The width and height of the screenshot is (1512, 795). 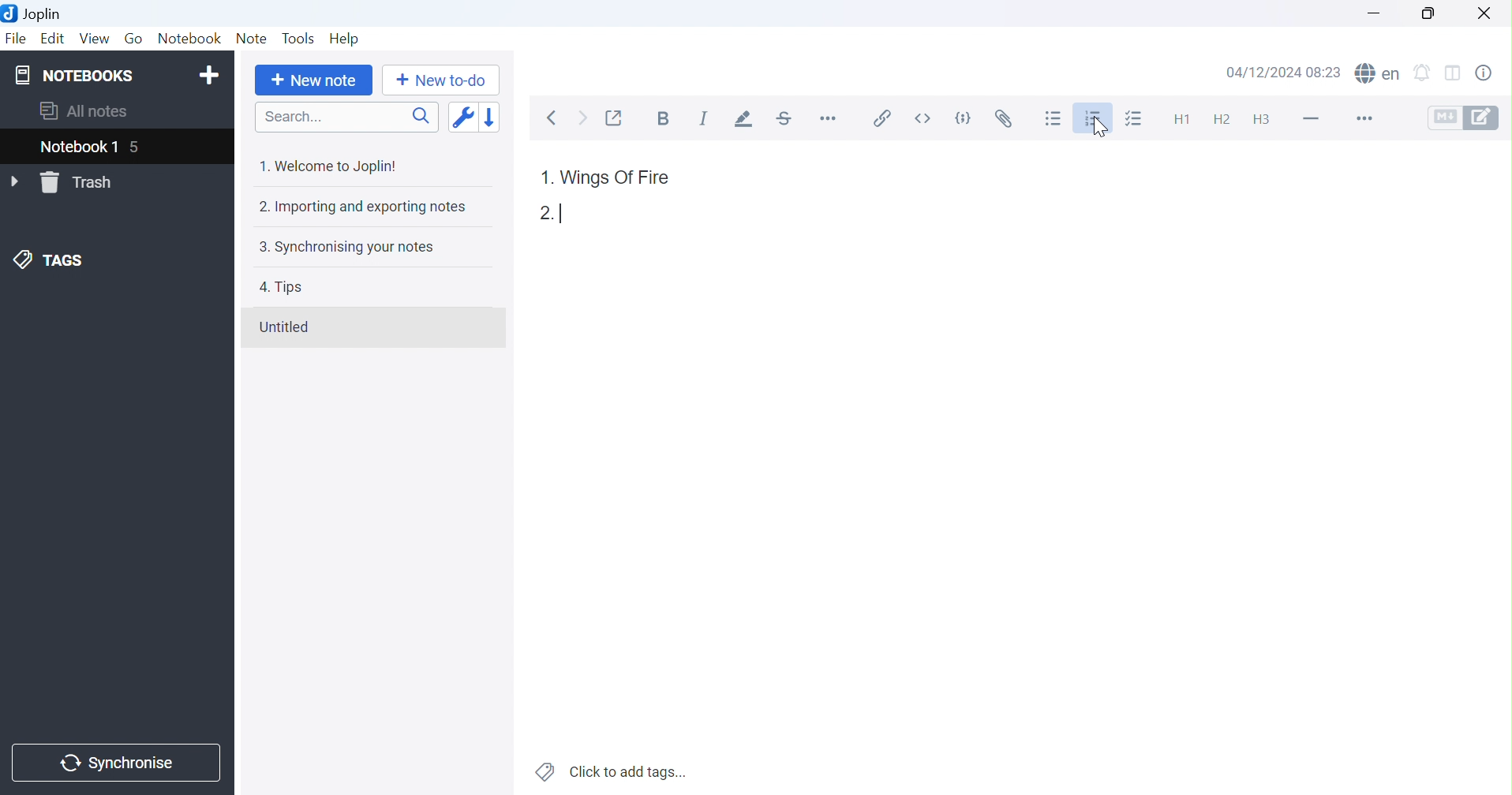 I want to click on Notebook, so click(x=189, y=37).